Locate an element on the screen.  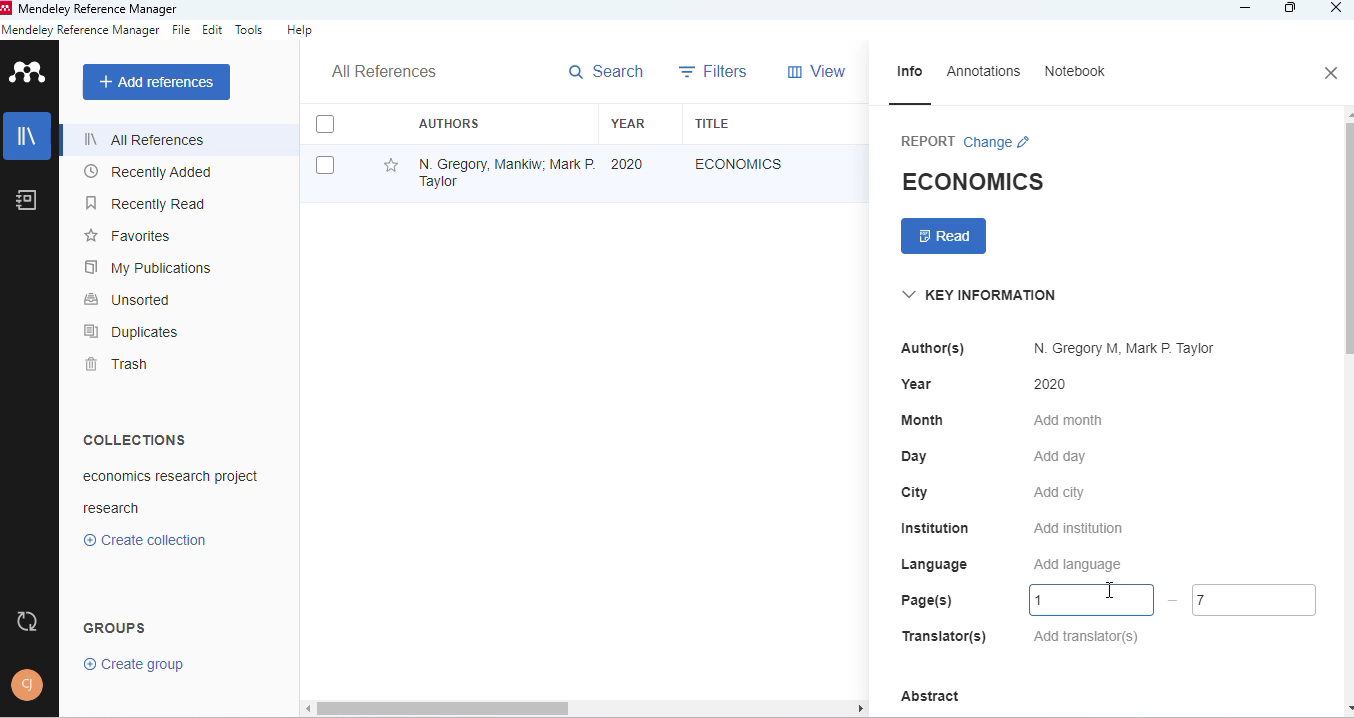
add this reference to favorites is located at coordinates (392, 166).